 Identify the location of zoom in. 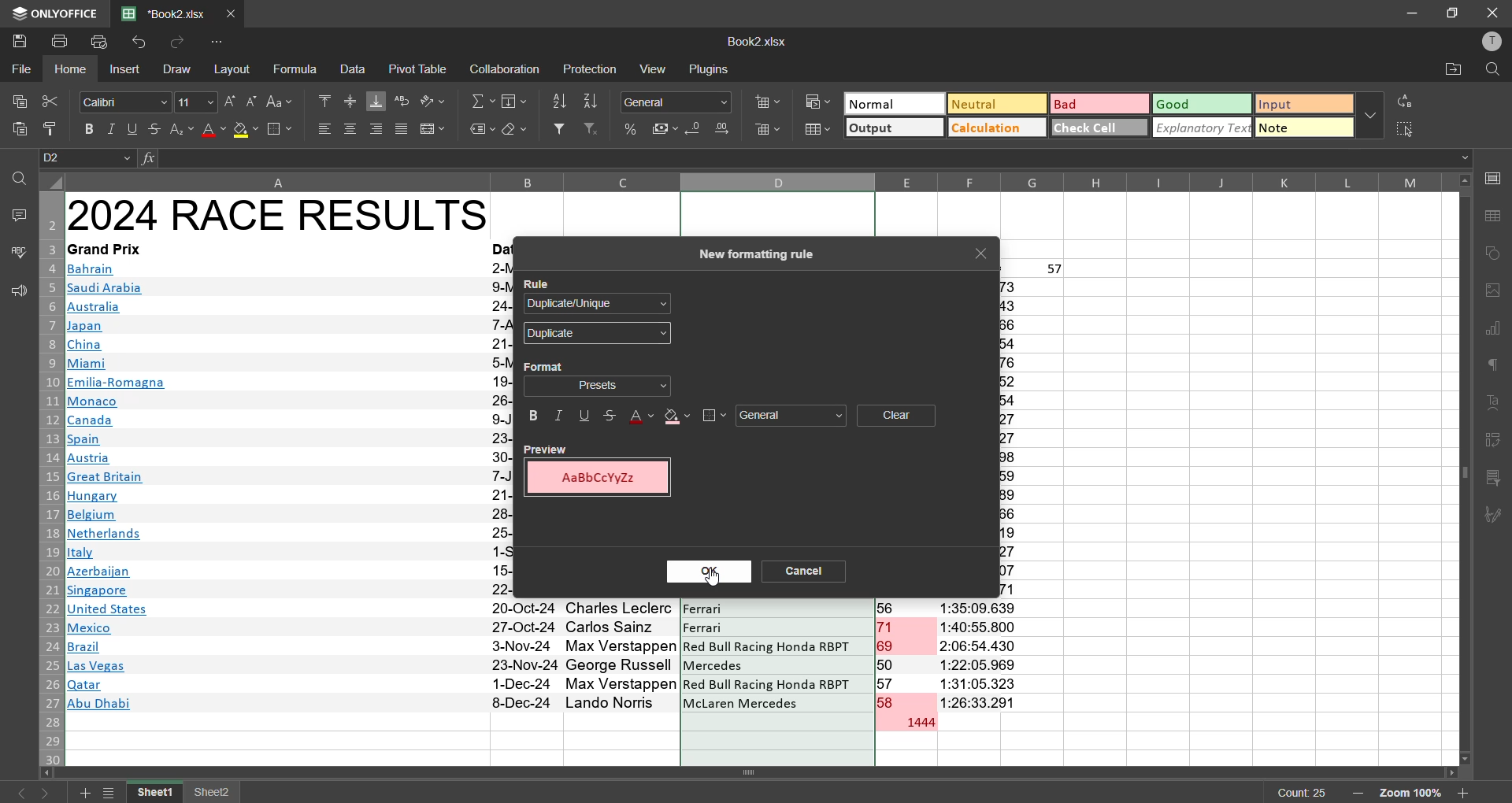
(1356, 794).